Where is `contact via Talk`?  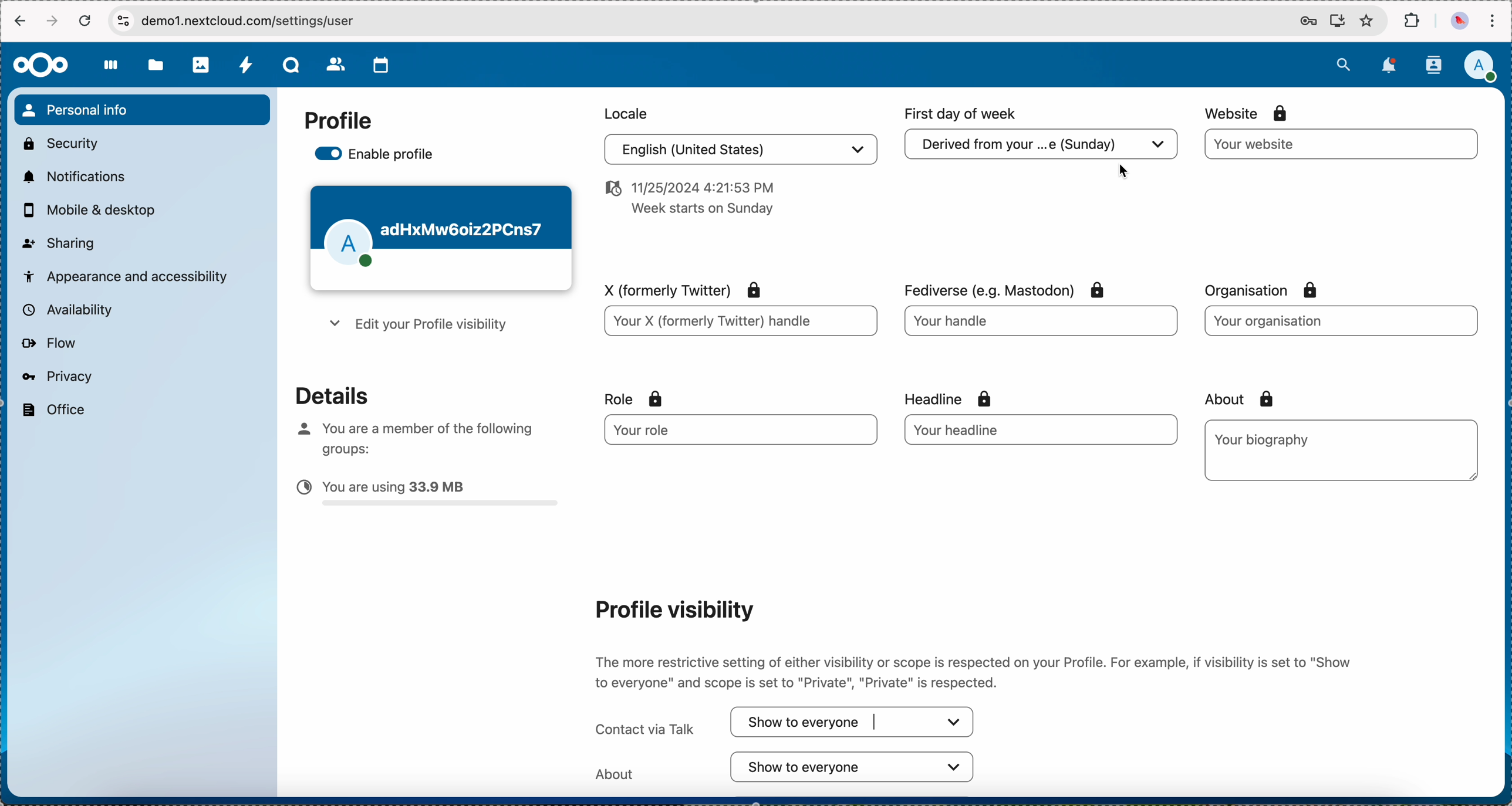
contact via Talk is located at coordinates (642, 723).